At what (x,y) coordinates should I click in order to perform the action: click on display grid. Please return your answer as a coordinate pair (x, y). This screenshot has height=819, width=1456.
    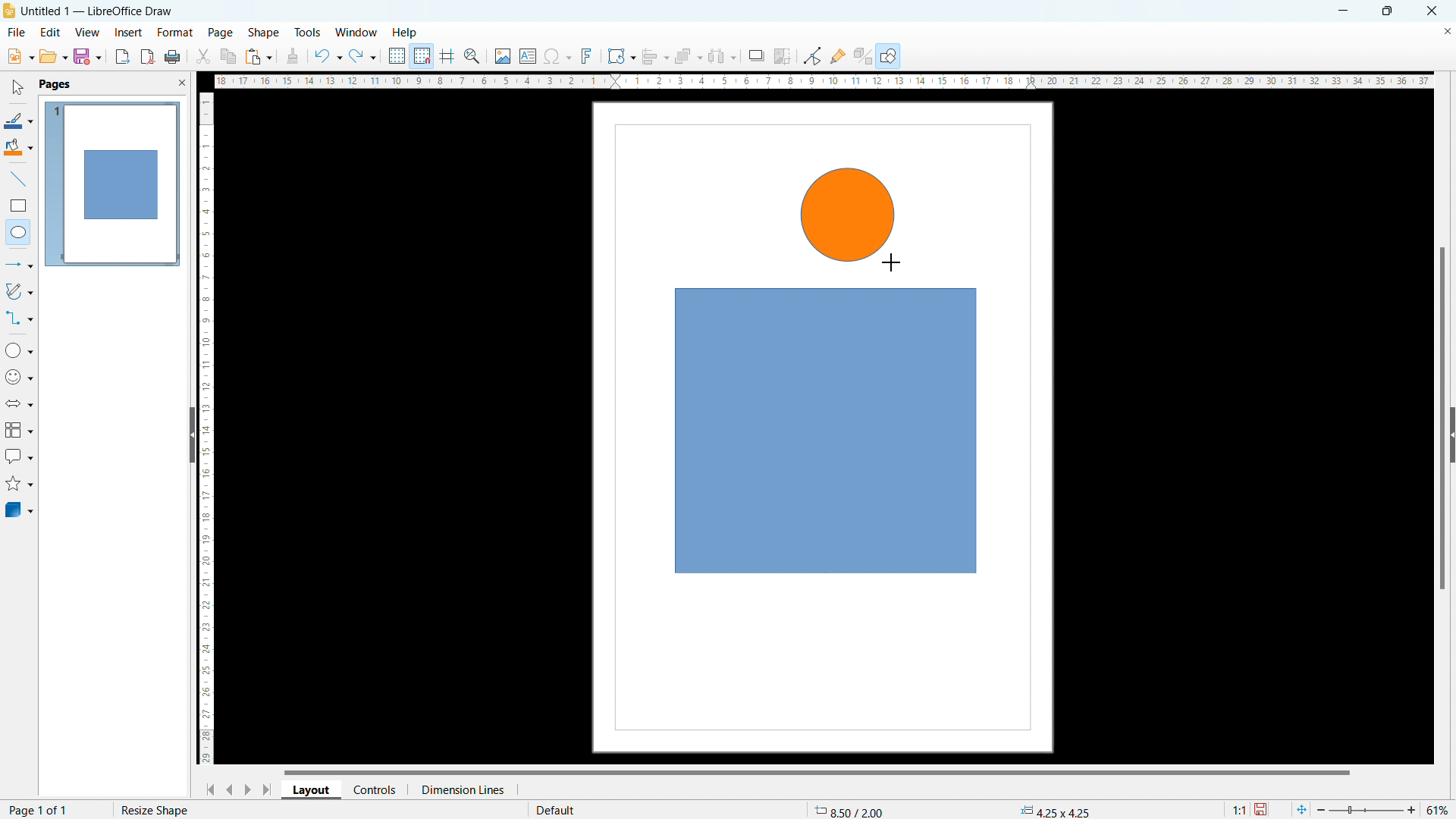
    Looking at the image, I should click on (396, 56).